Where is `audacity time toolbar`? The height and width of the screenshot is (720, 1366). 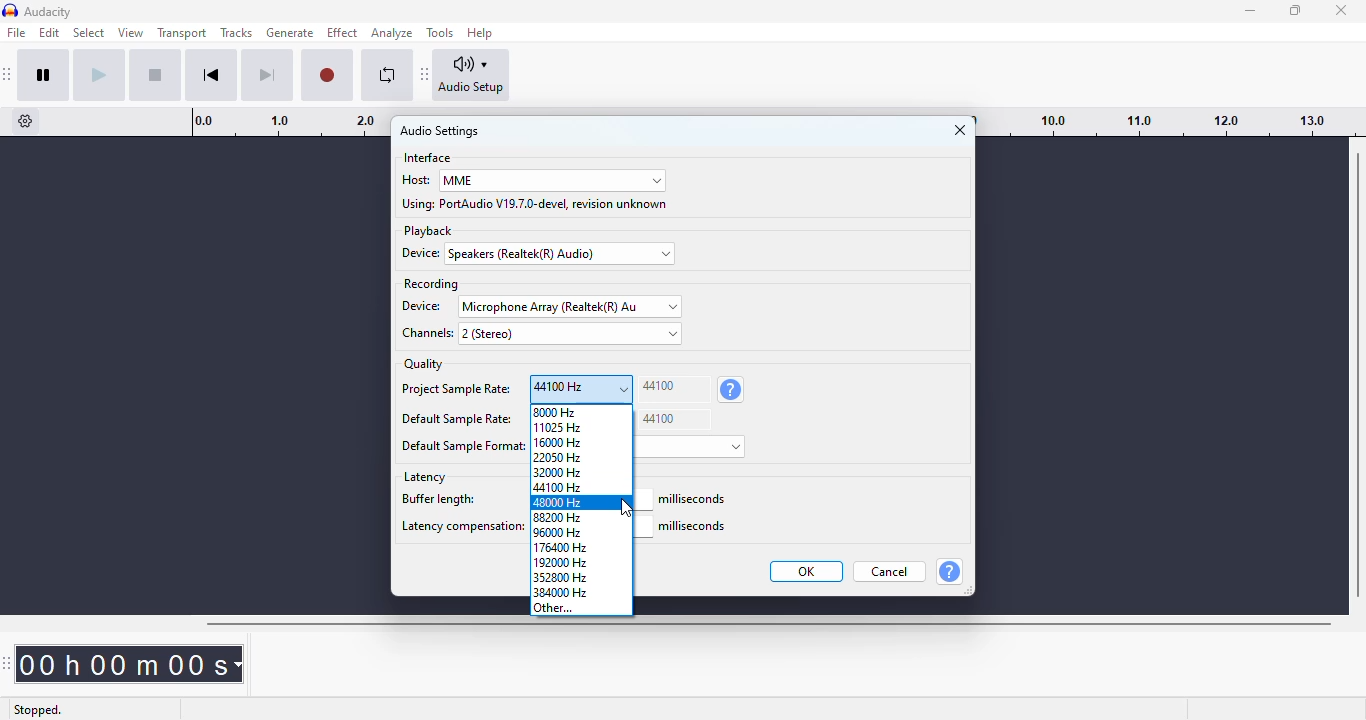
audacity time toolbar is located at coordinates (9, 663).